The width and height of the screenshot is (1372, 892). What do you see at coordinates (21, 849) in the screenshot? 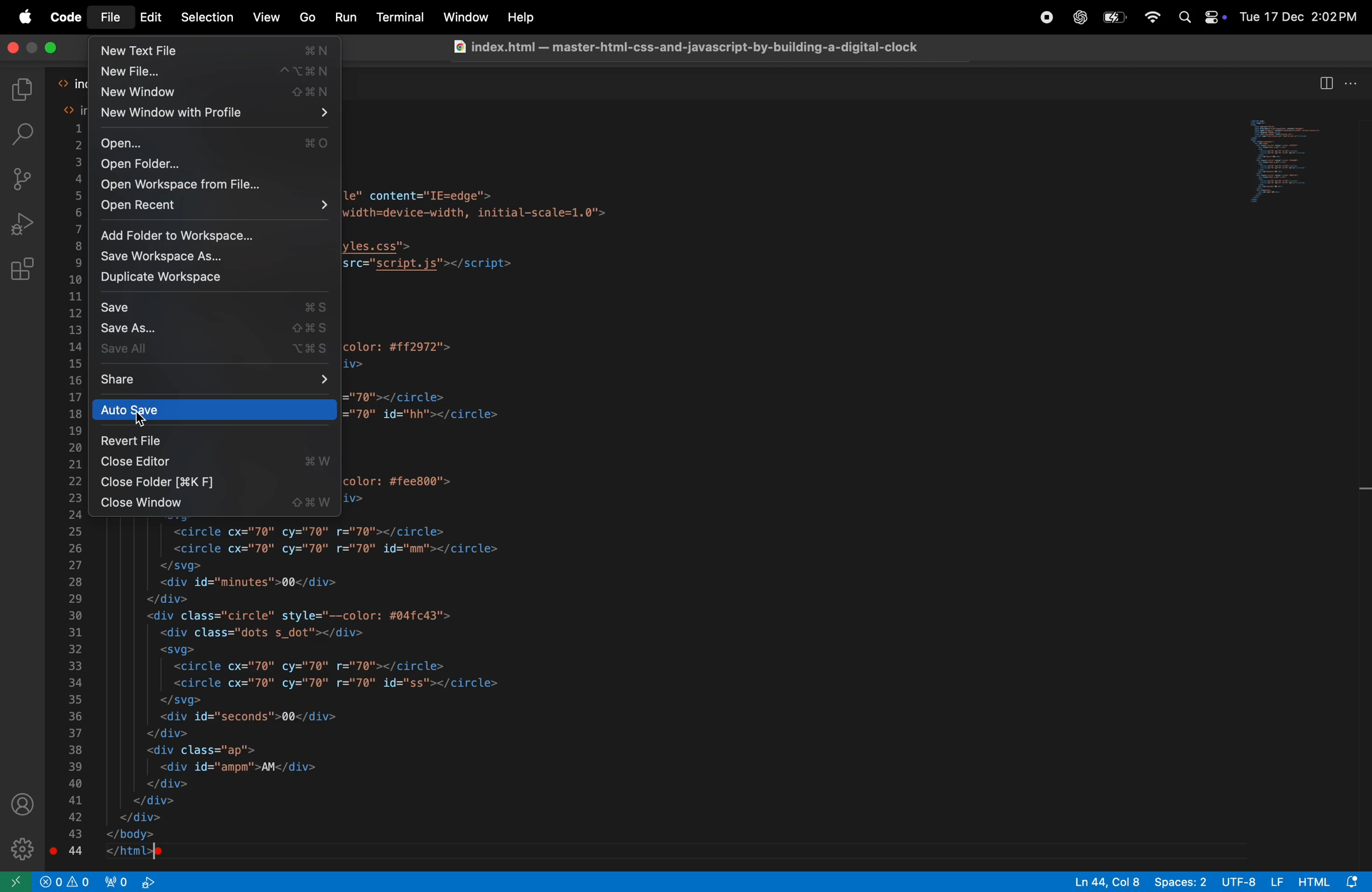
I see `settings` at bounding box center [21, 849].